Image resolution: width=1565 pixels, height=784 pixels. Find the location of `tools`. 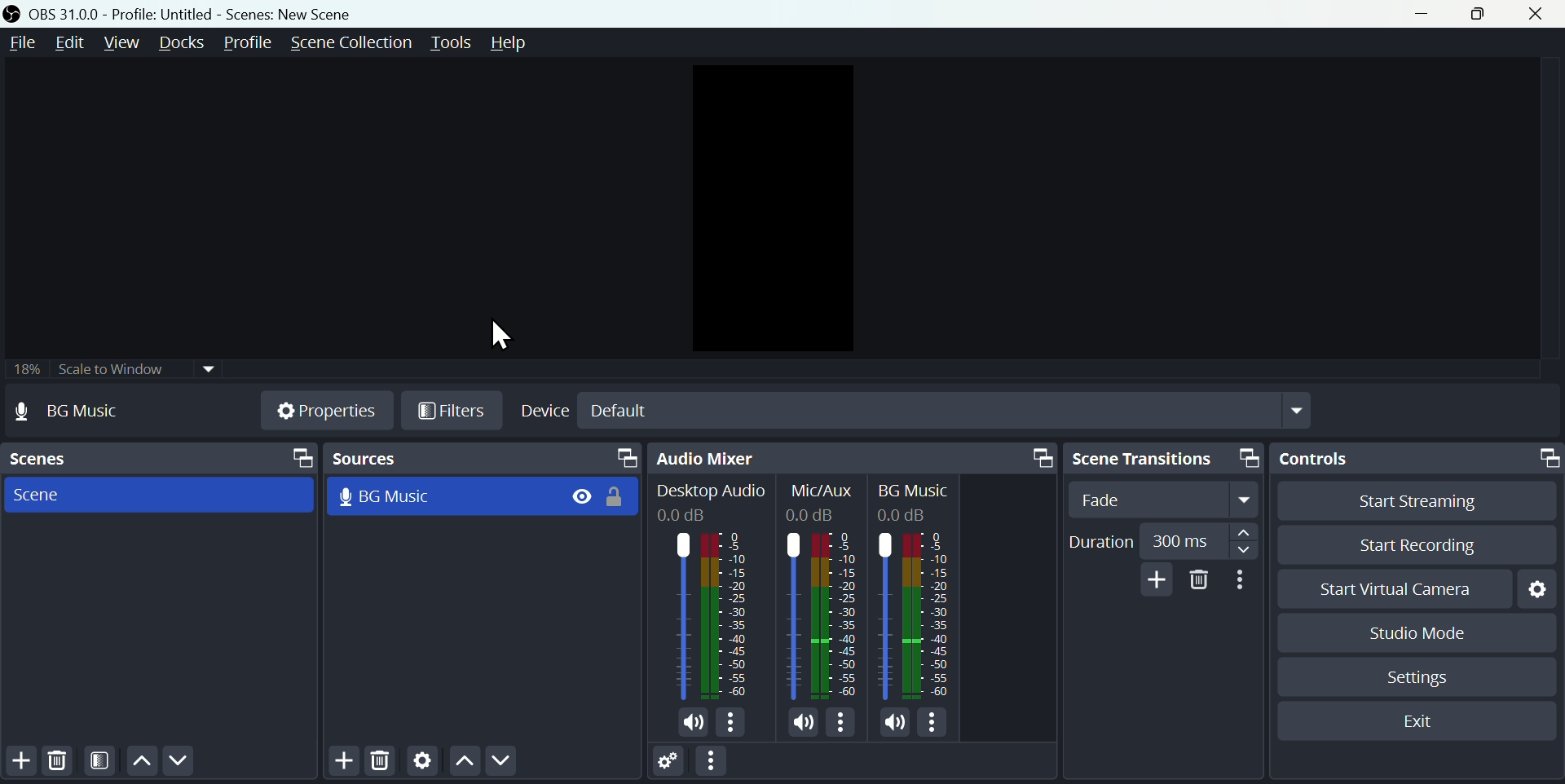

tools is located at coordinates (454, 43).